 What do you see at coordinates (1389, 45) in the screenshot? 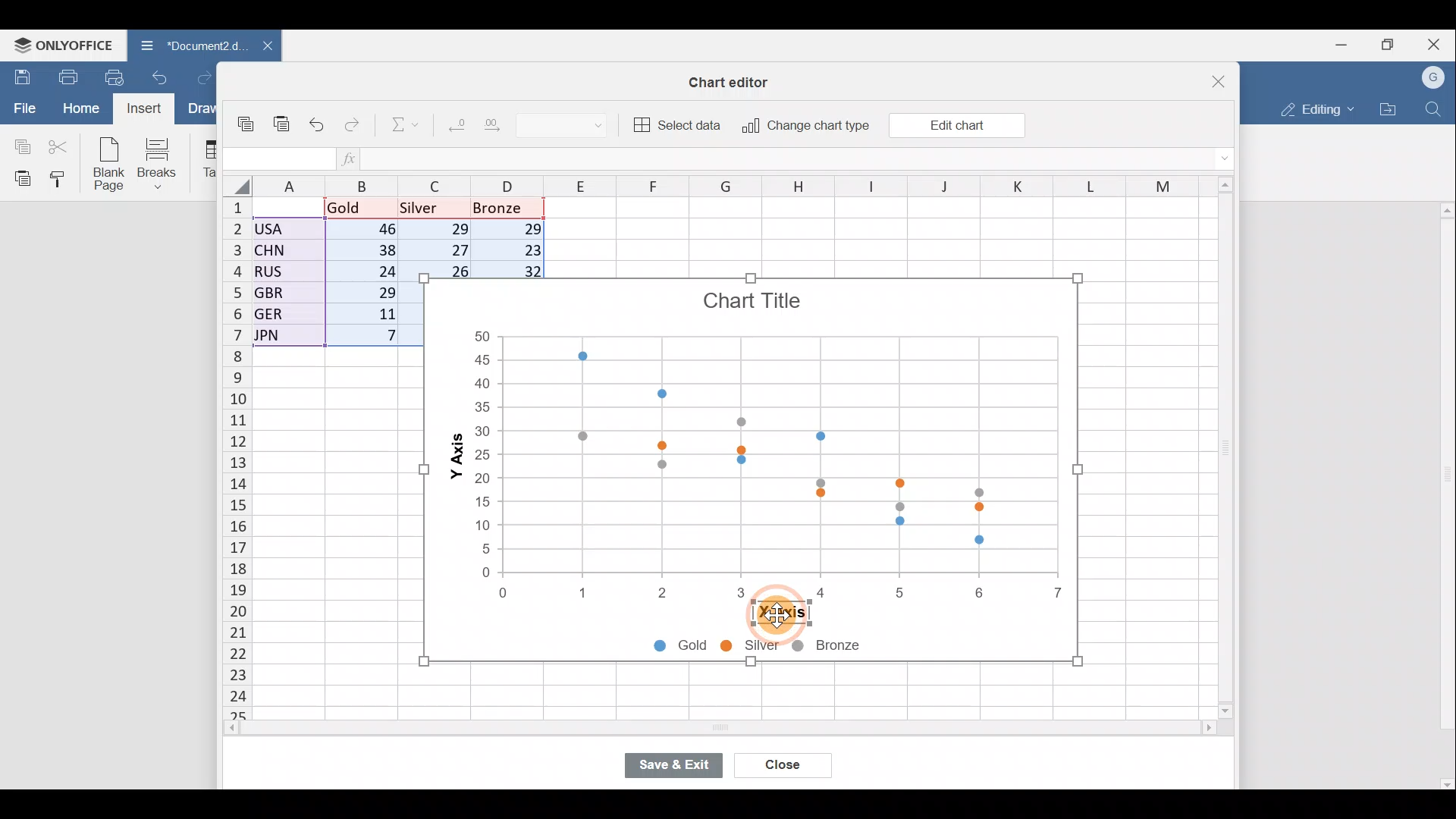
I see `Maximize` at bounding box center [1389, 45].